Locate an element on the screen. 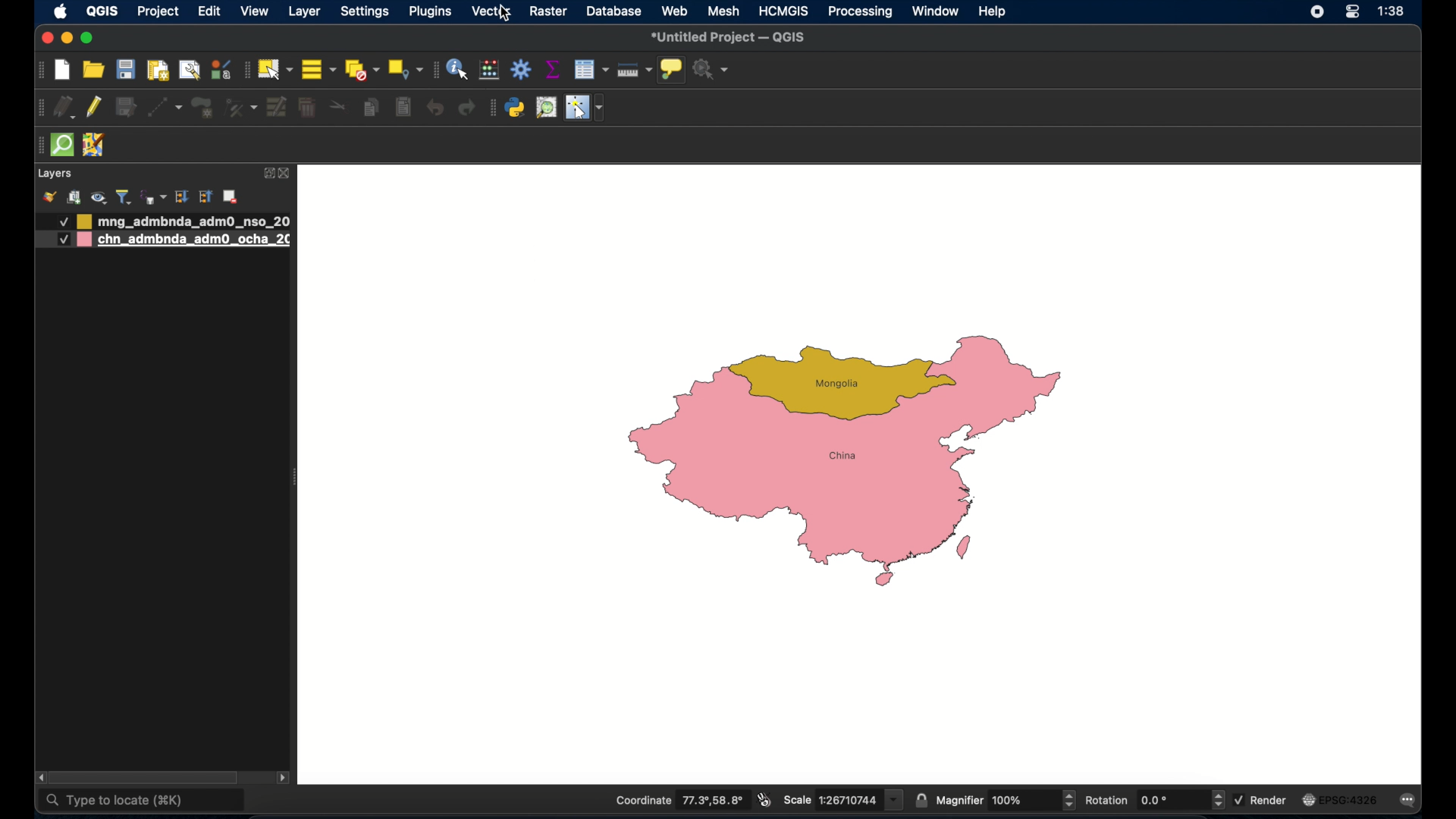 The image size is (1456, 819). maximize is located at coordinates (88, 38).